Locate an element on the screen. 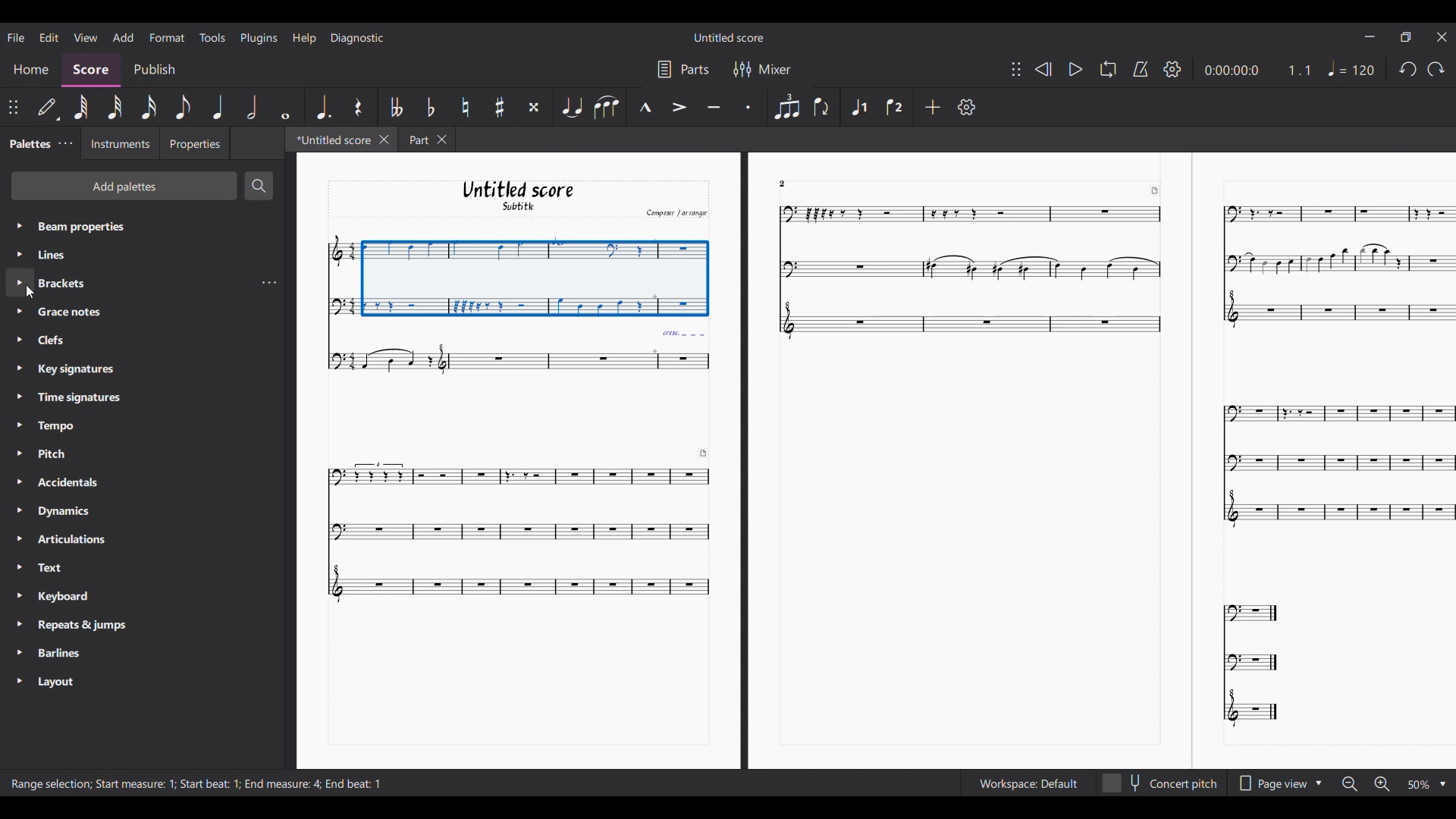 This screenshot has height=819, width=1456. Staccato is located at coordinates (747, 106).